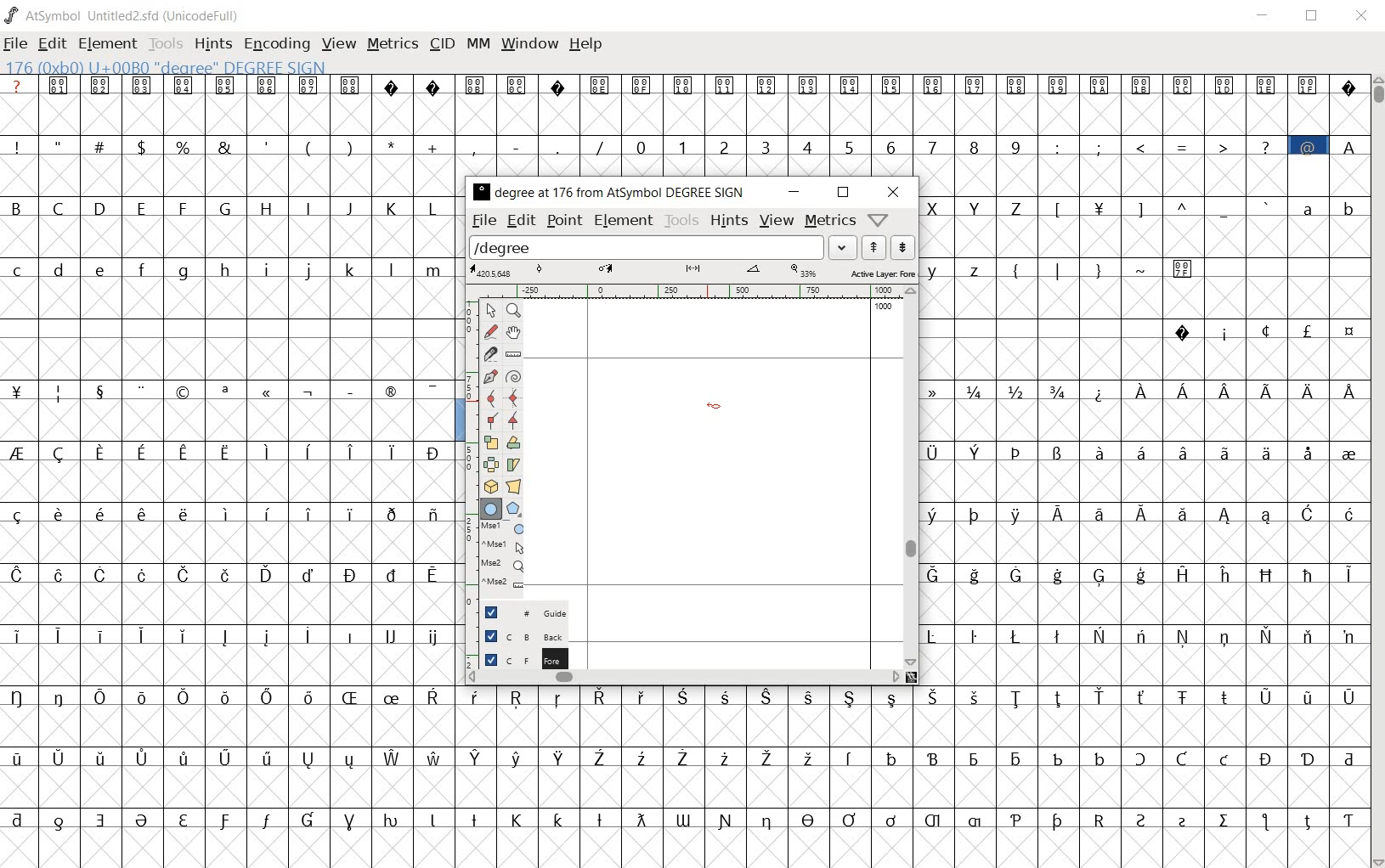 This screenshot has width=1385, height=868. I want to click on empty glyph slots, so click(1146, 605).